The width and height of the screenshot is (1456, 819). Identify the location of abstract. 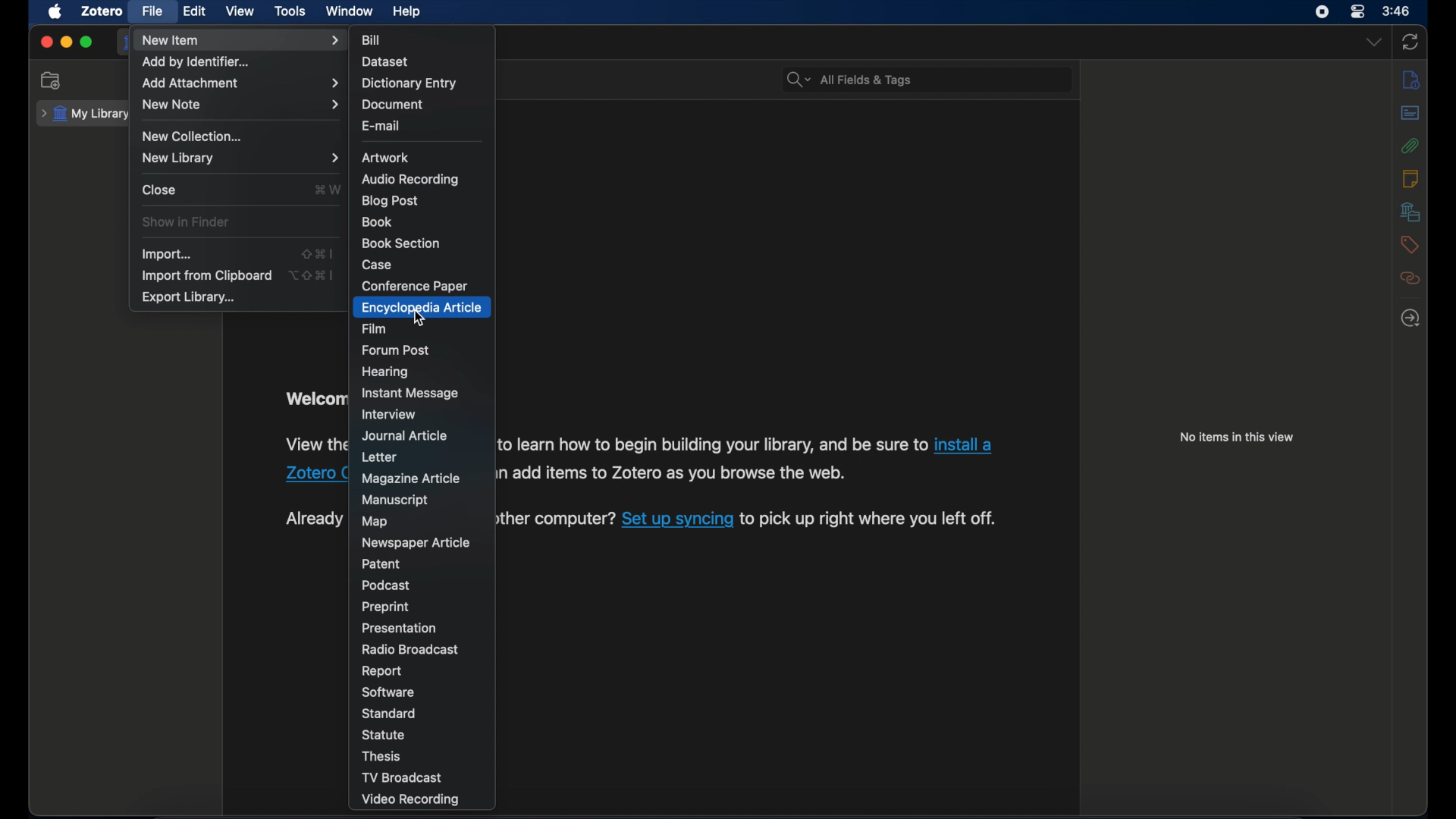
(1410, 113).